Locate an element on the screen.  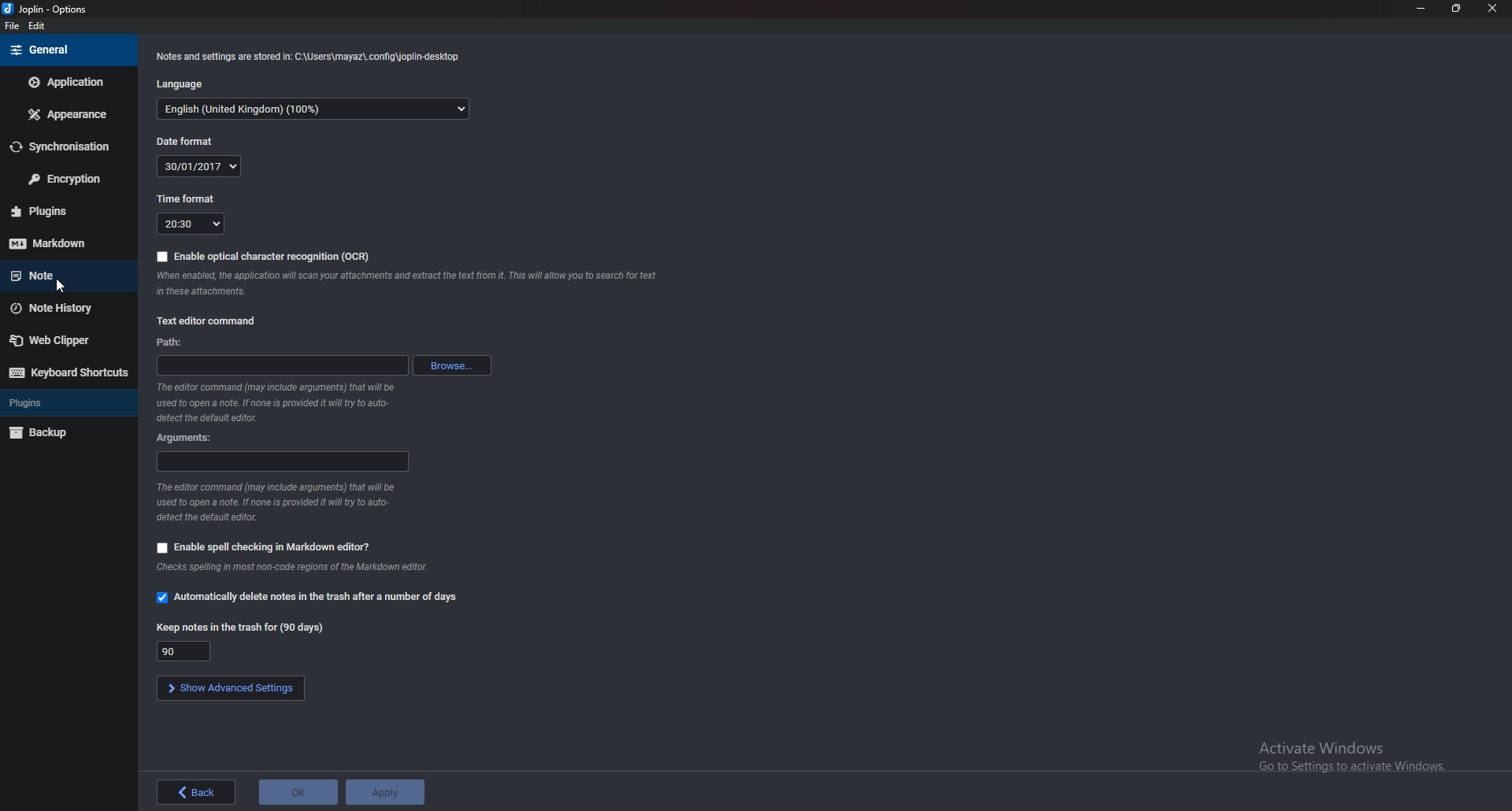
back is located at coordinates (195, 794).